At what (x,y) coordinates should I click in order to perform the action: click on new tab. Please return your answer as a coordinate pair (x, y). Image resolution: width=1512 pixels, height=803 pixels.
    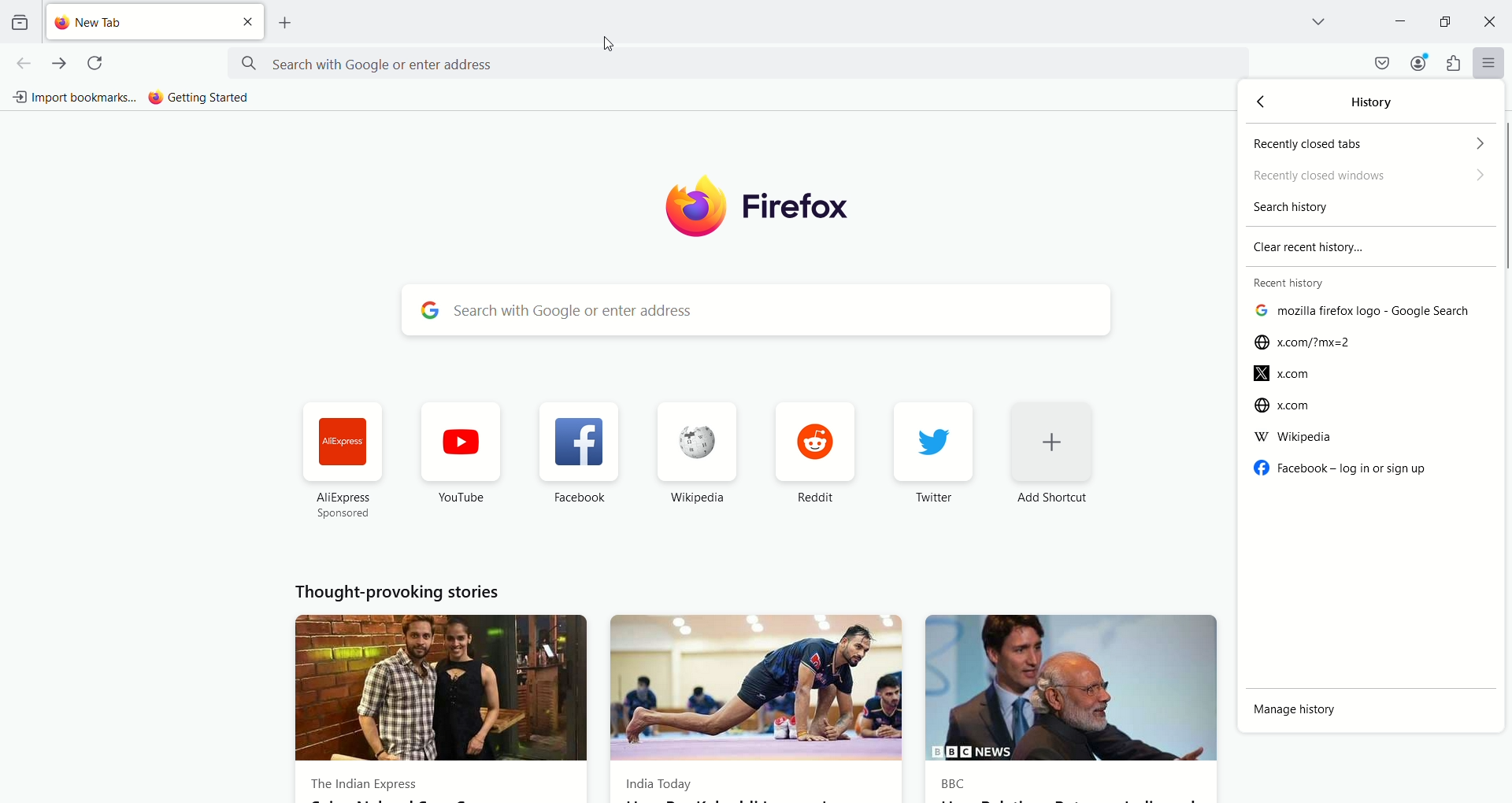
    Looking at the image, I should click on (135, 21).